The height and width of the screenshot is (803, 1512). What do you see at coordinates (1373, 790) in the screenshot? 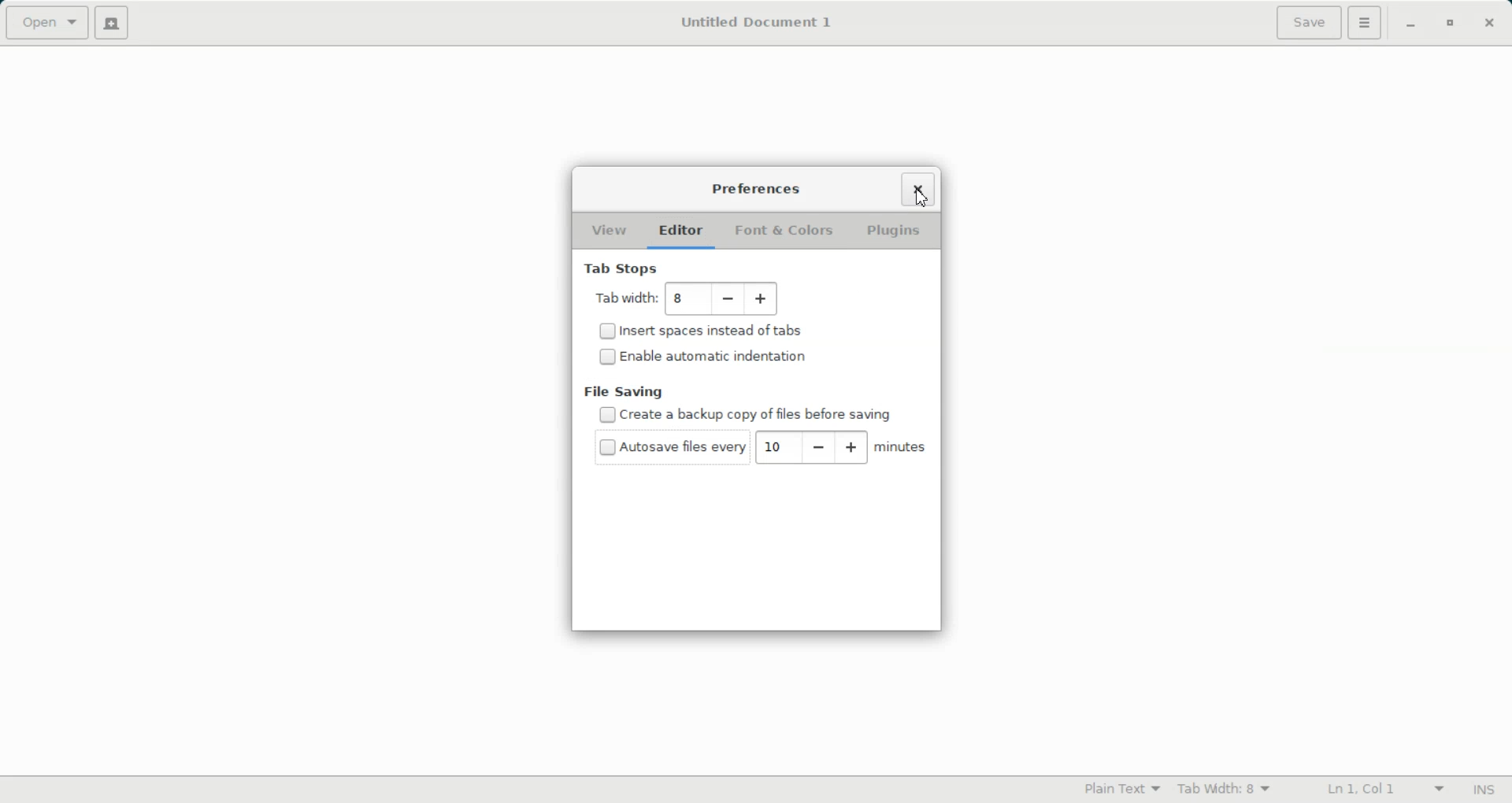
I see `Line Column` at bounding box center [1373, 790].